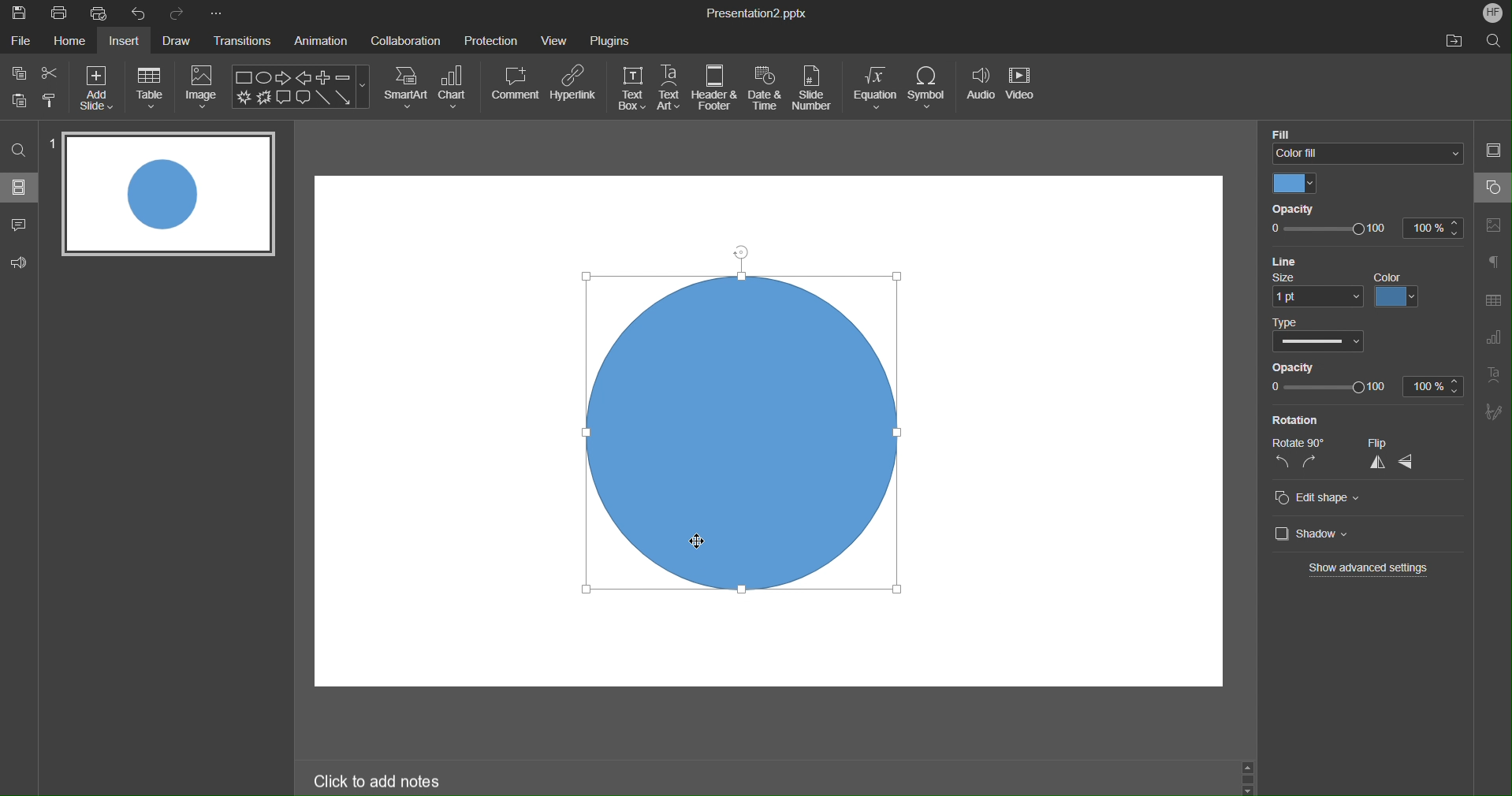 The image size is (1512, 796). What do you see at coordinates (1430, 229) in the screenshot?
I see `100%` at bounding box center [1430, 229].